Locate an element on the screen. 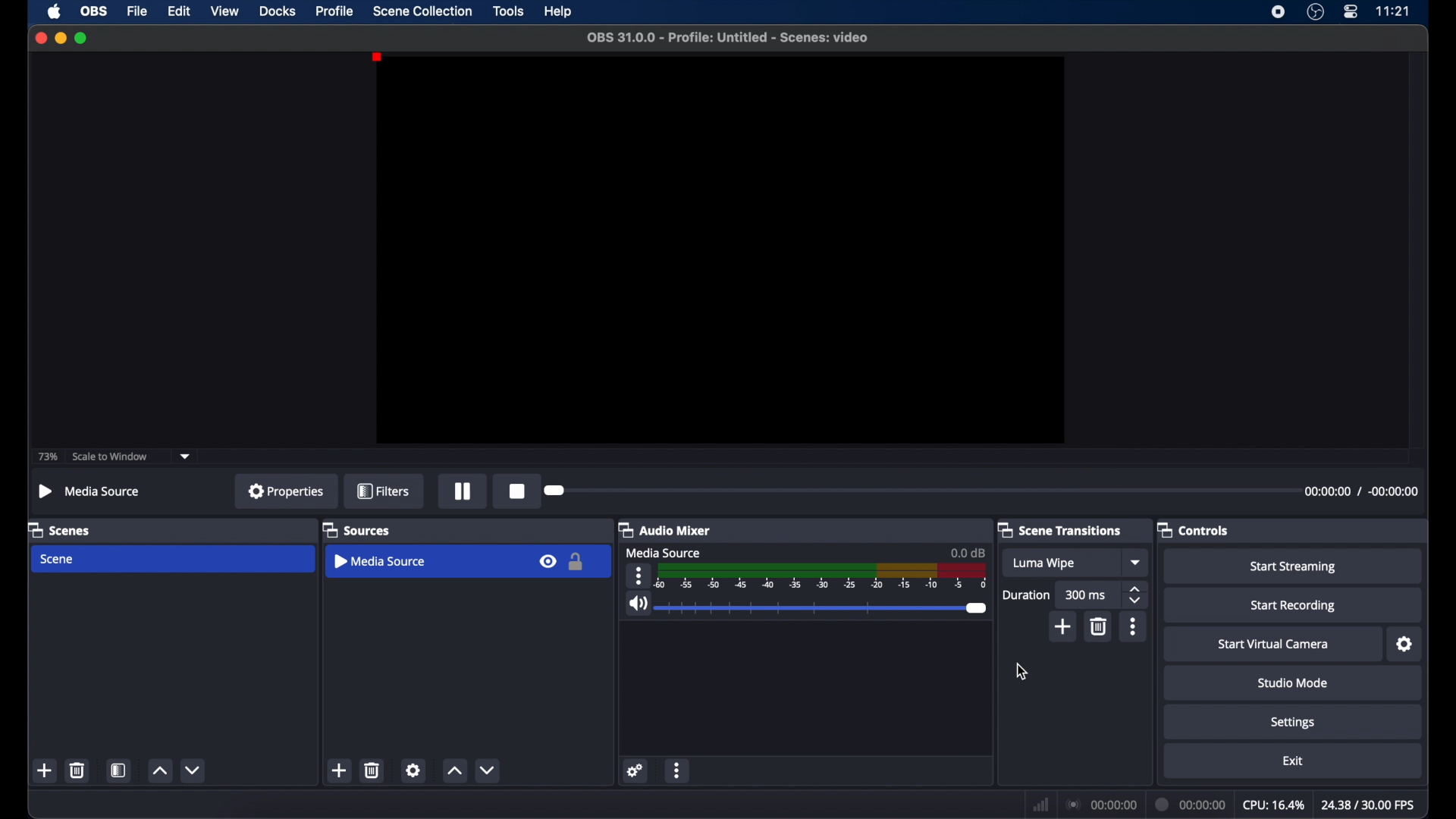 Image resolution: width=1456 pixels, height=819 pixels. control center is located at coordinates (1350, 12).